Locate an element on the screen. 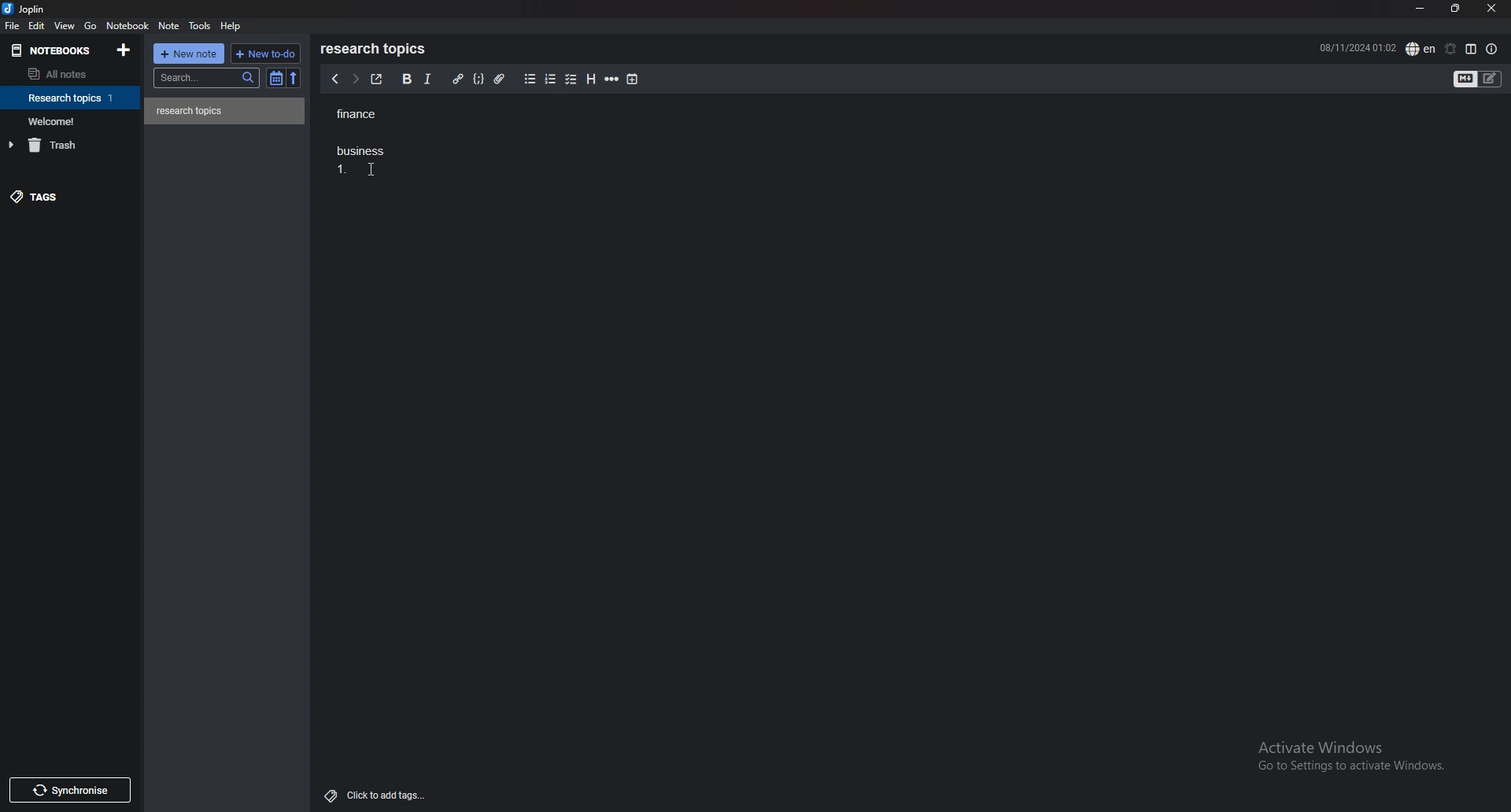  attachment is located at coordinates (499, 78).